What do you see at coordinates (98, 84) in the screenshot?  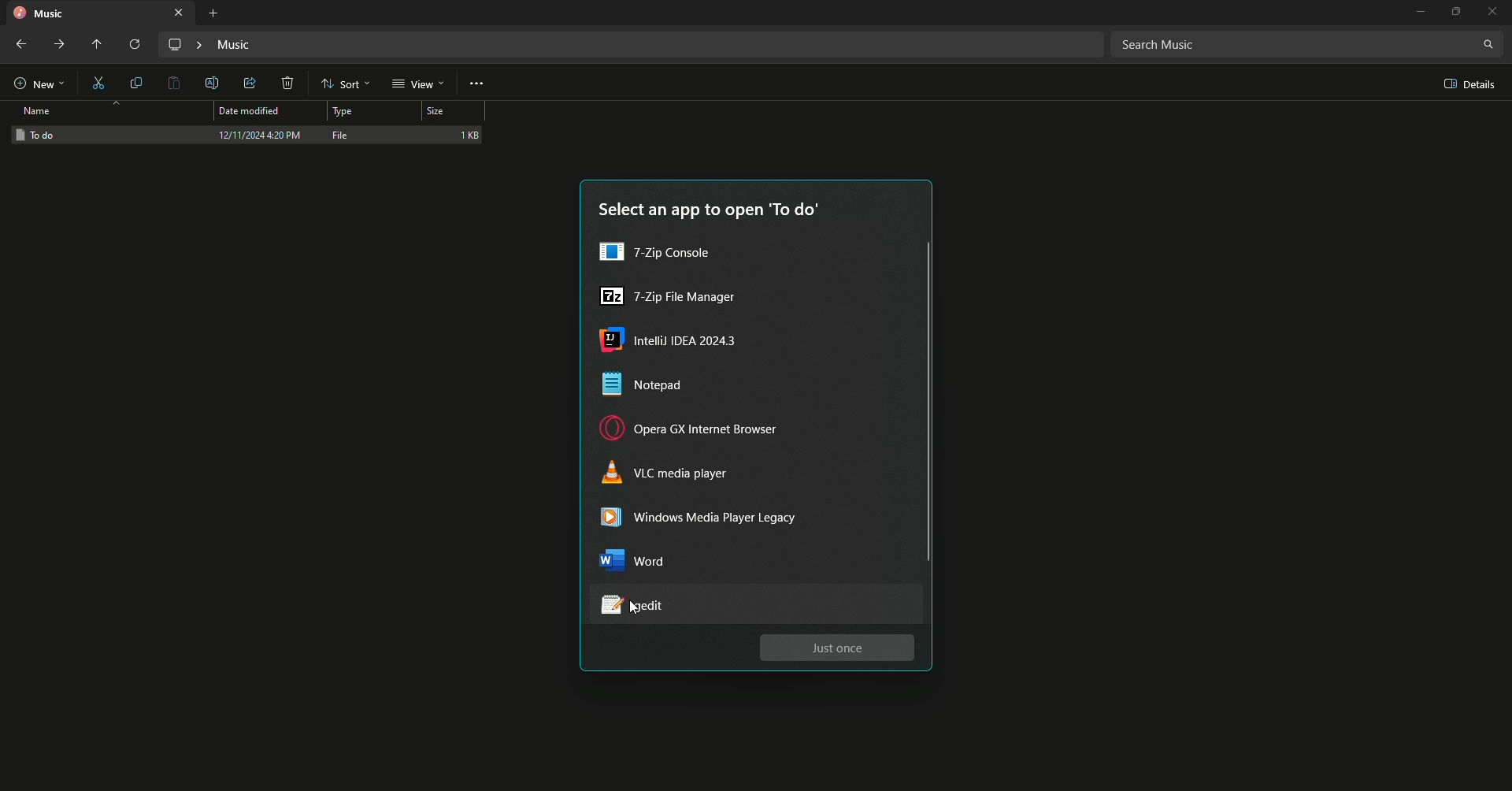 I see `Cut` at bounding box center [98, 84].